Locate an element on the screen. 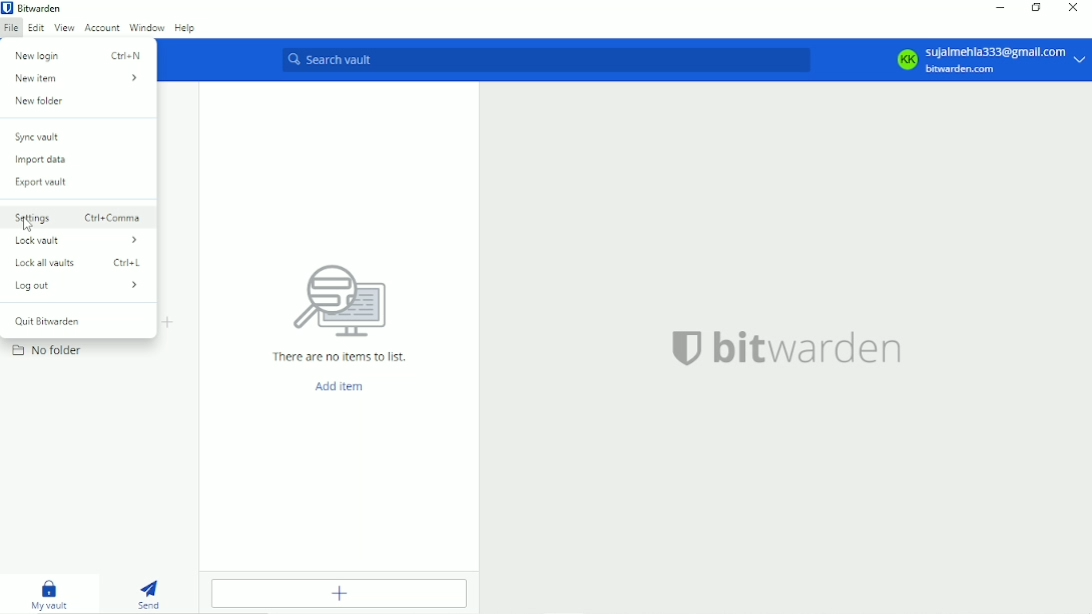 The width and height of the screenshot is (1092, 614). Edit is located at coordinates (34, 29).